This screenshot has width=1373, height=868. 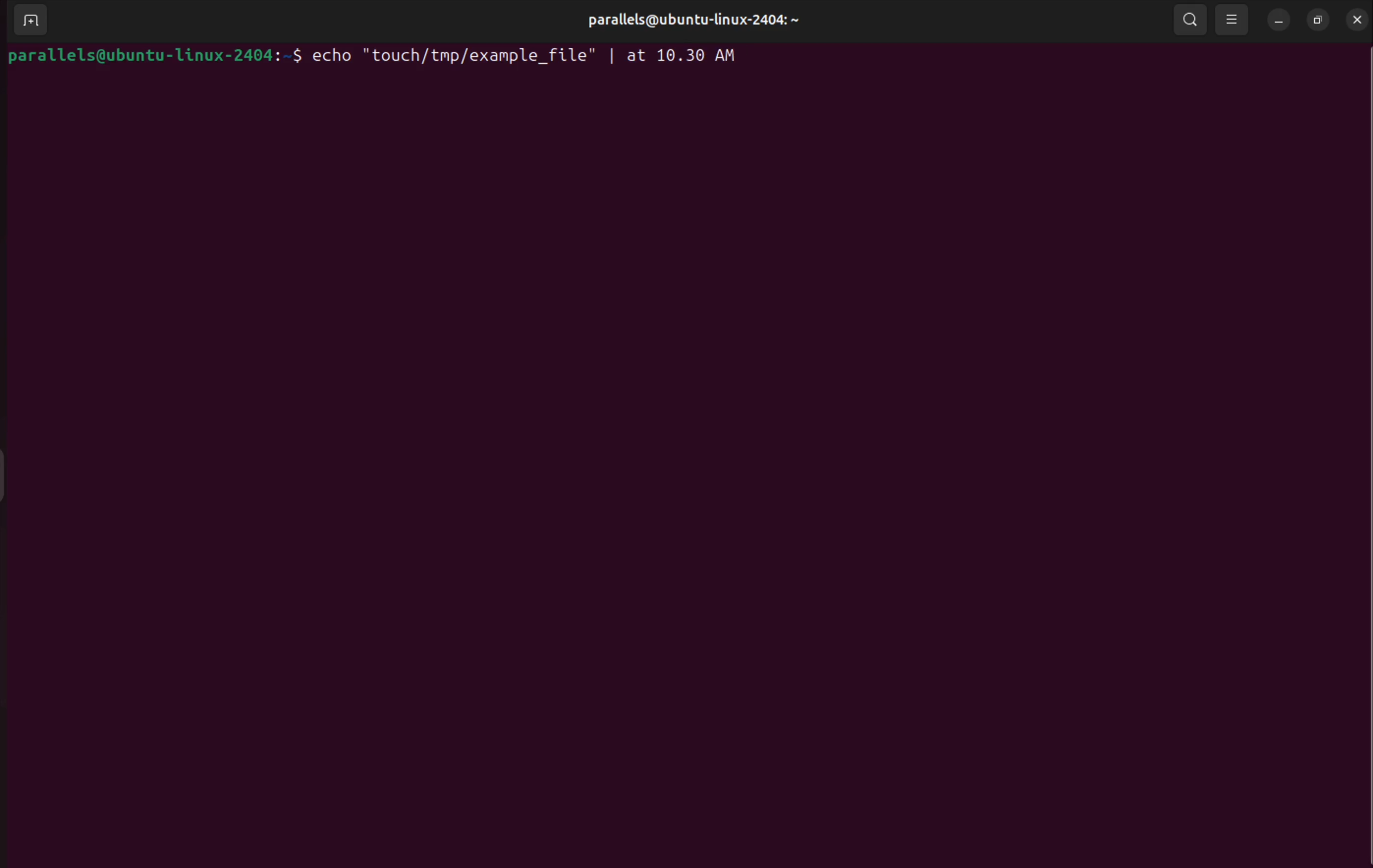 What do you see at coordinates (1191, 21) in the screenshot?
I see `search` at bounding box center [1191, 21].